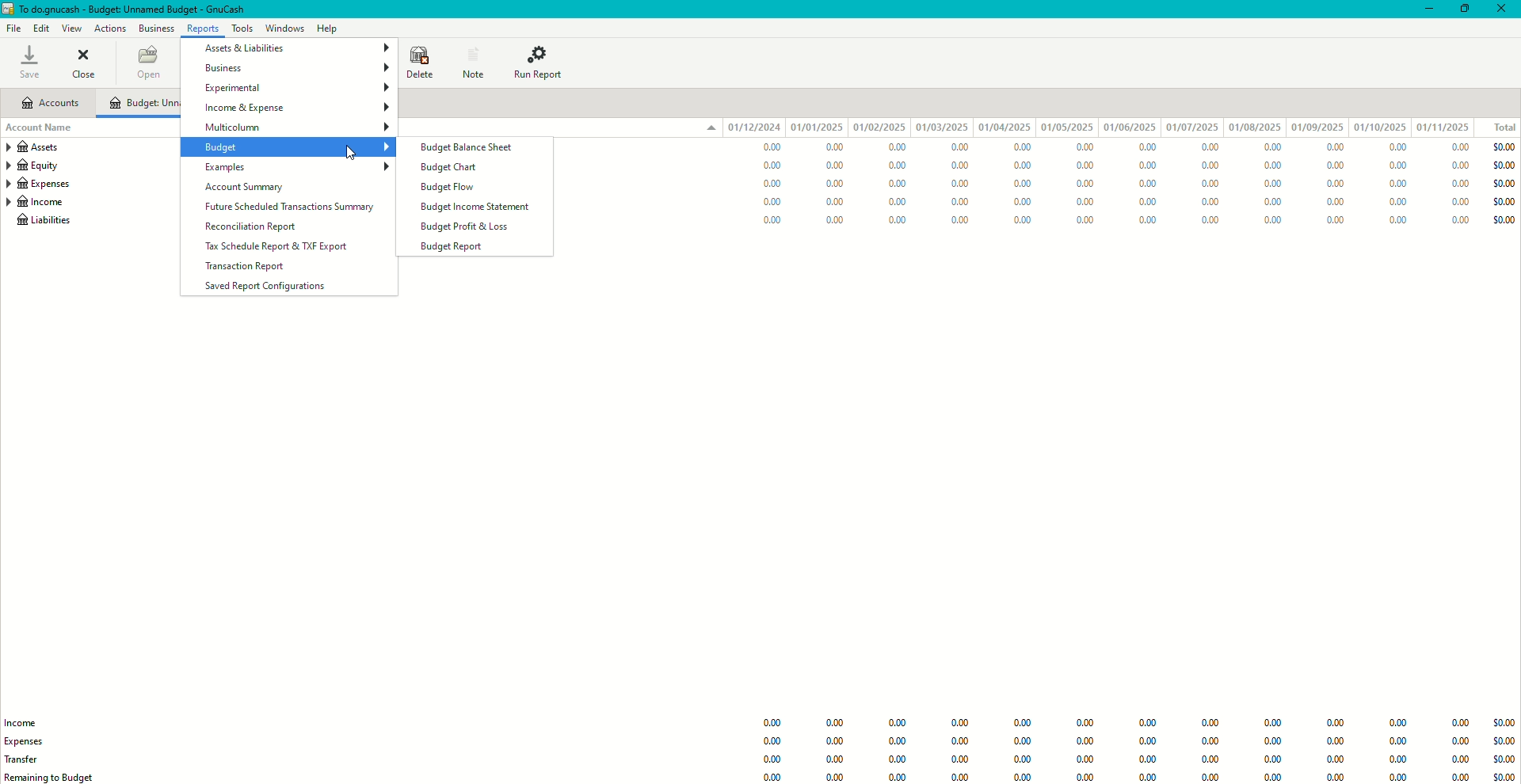  Describe the element at coordinates (156, 27) in the screenshot. I see `Business` at that location.